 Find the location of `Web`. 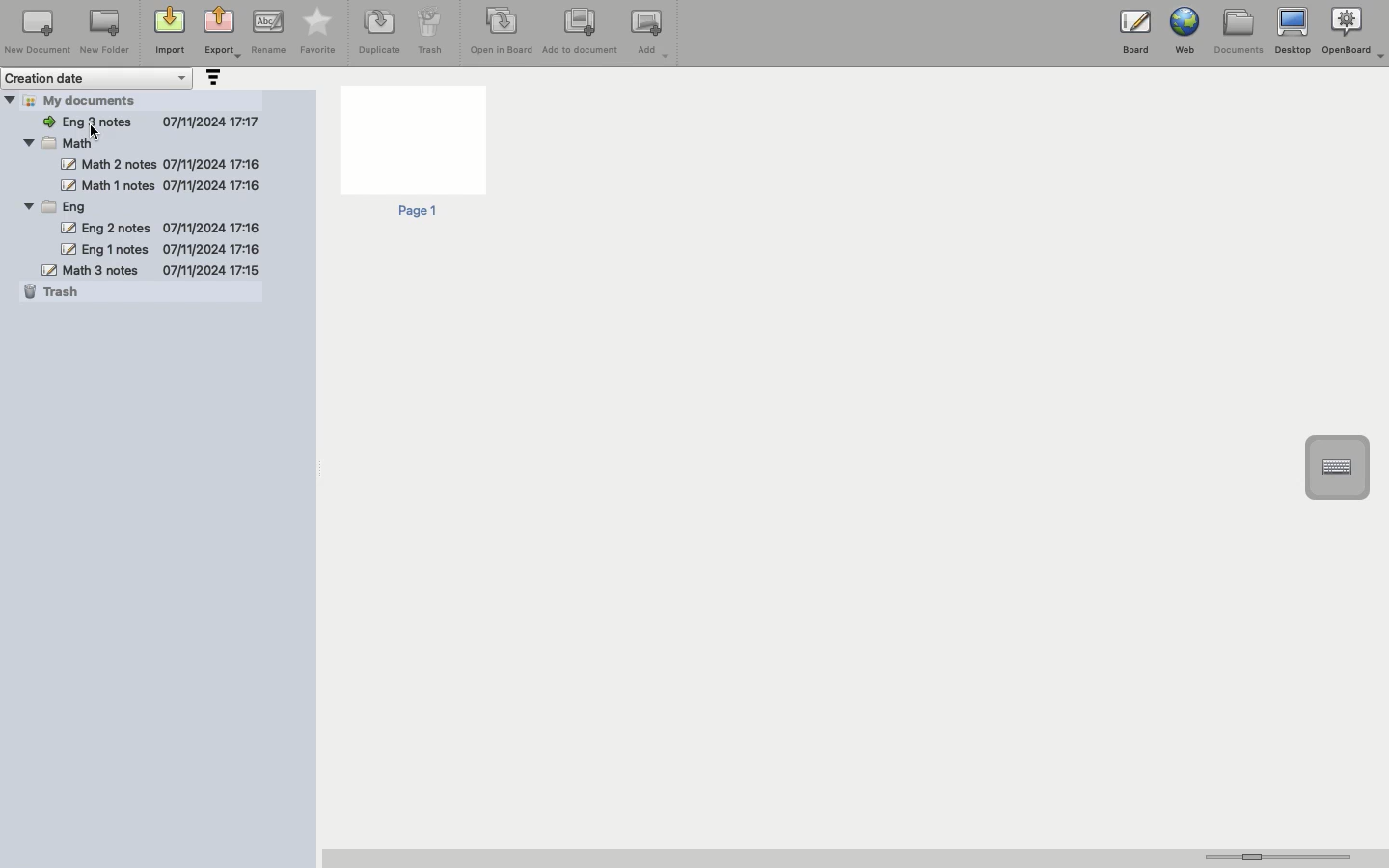

Web is located at coordinates (1183, 31).